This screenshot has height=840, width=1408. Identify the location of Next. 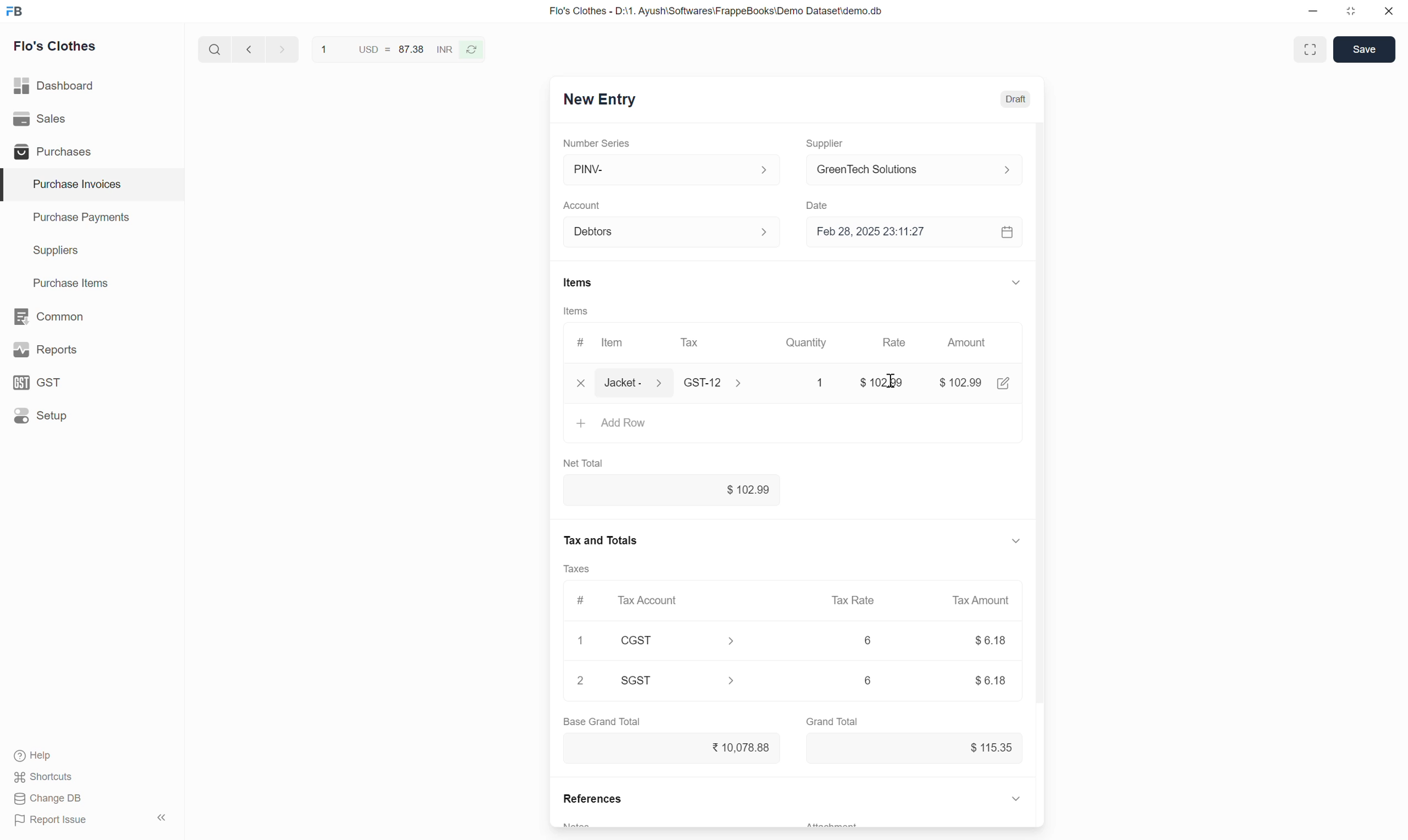
(283, 49).